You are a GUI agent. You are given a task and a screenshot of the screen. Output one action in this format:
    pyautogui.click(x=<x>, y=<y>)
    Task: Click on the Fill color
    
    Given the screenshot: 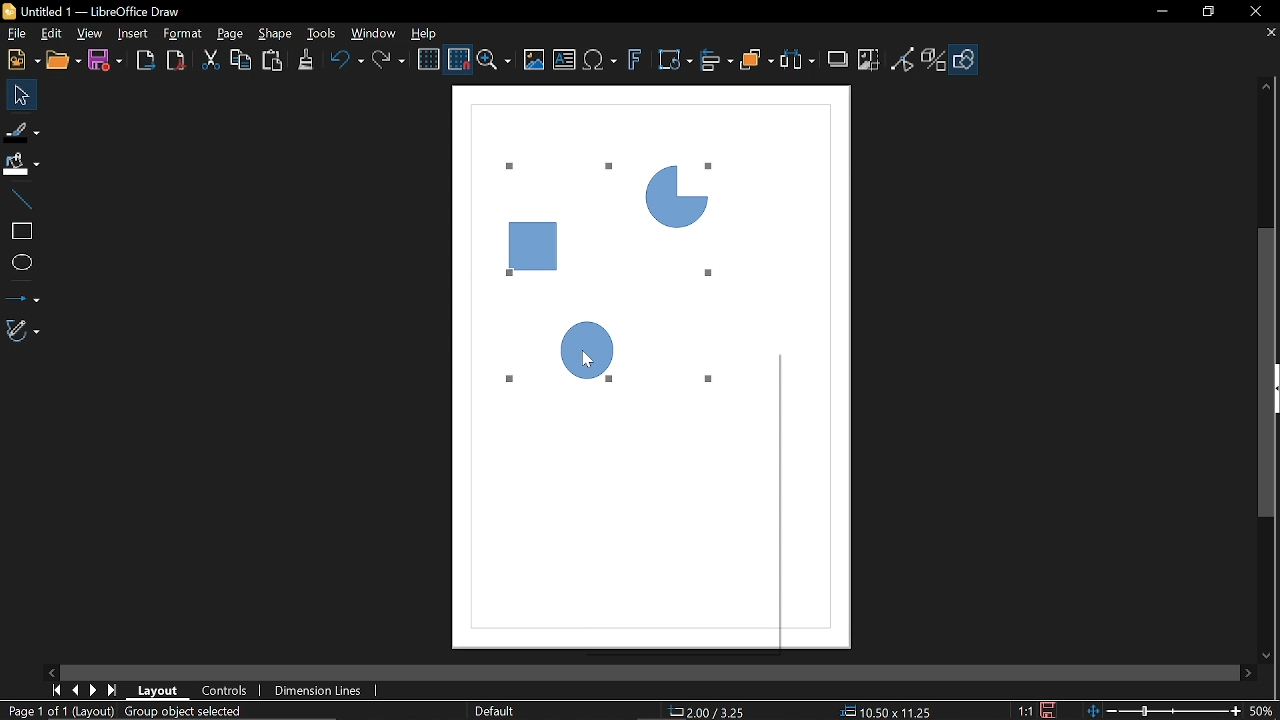 What is the action you would take?
    pyautogui.click(x=21, y=163)
    